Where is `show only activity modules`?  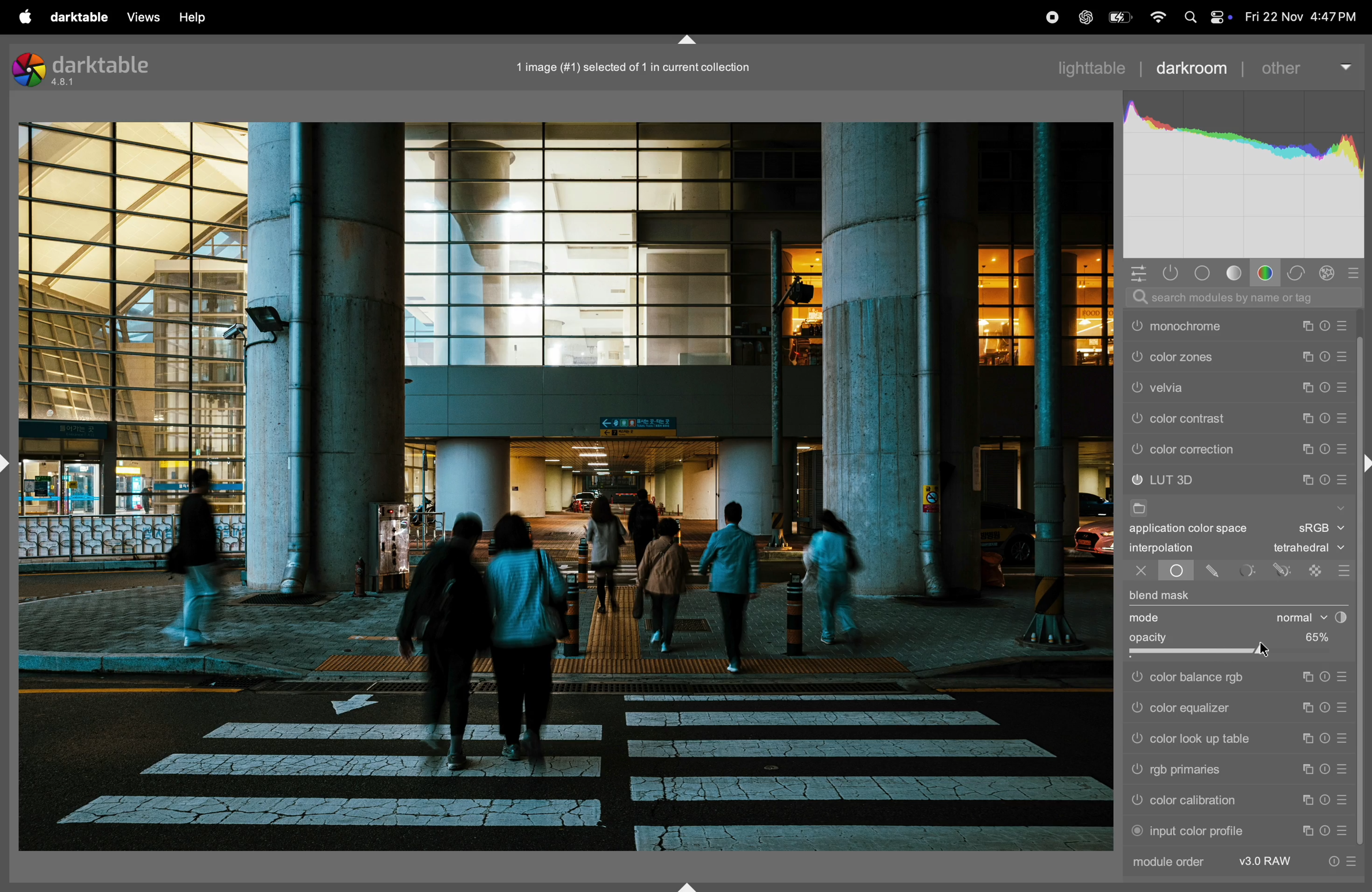
show only activity modules is located at coordinates (1171, 274).